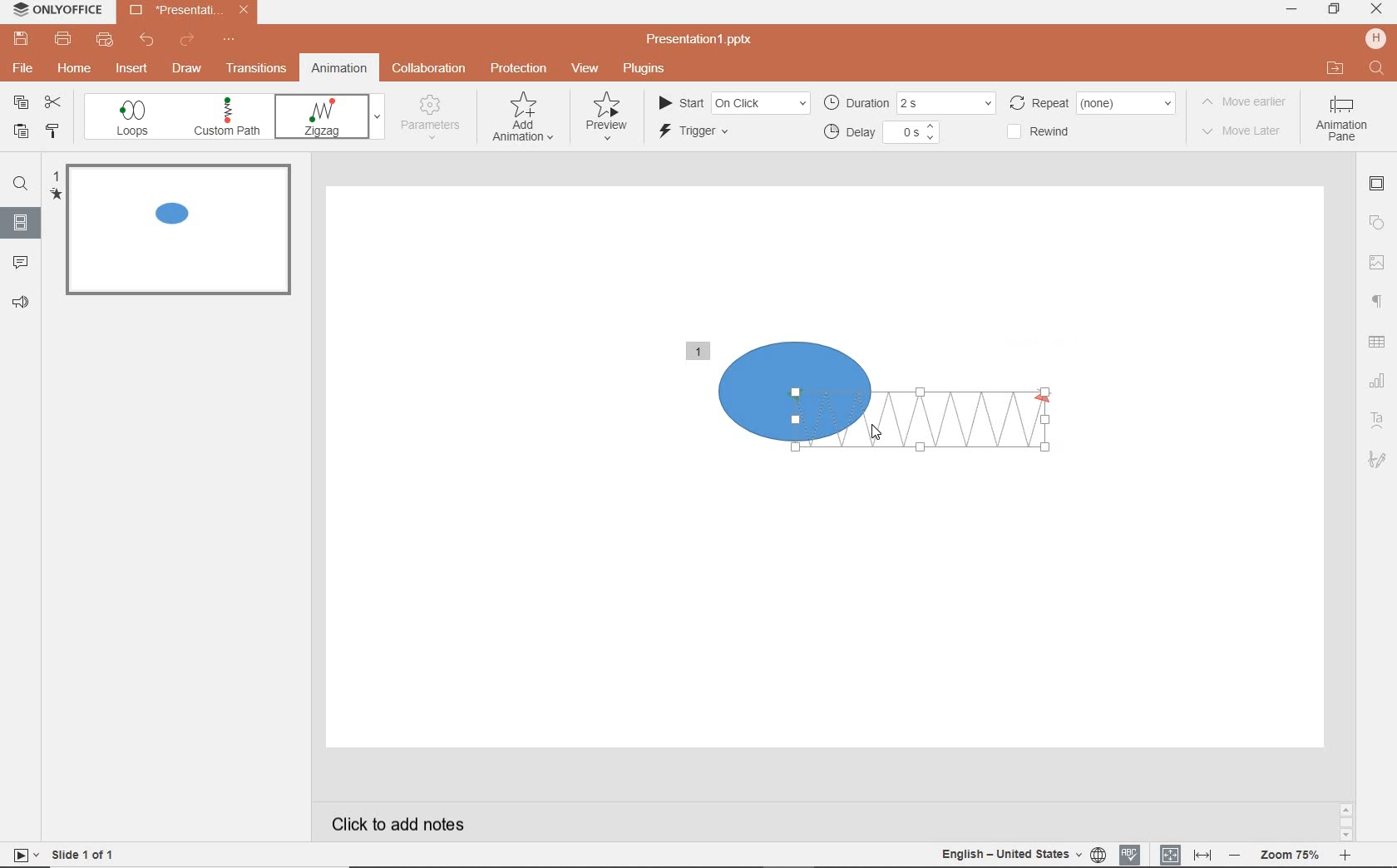 The height and width of the screenshot is (868, 1397). I want to click on quick print, so click(106, 42).